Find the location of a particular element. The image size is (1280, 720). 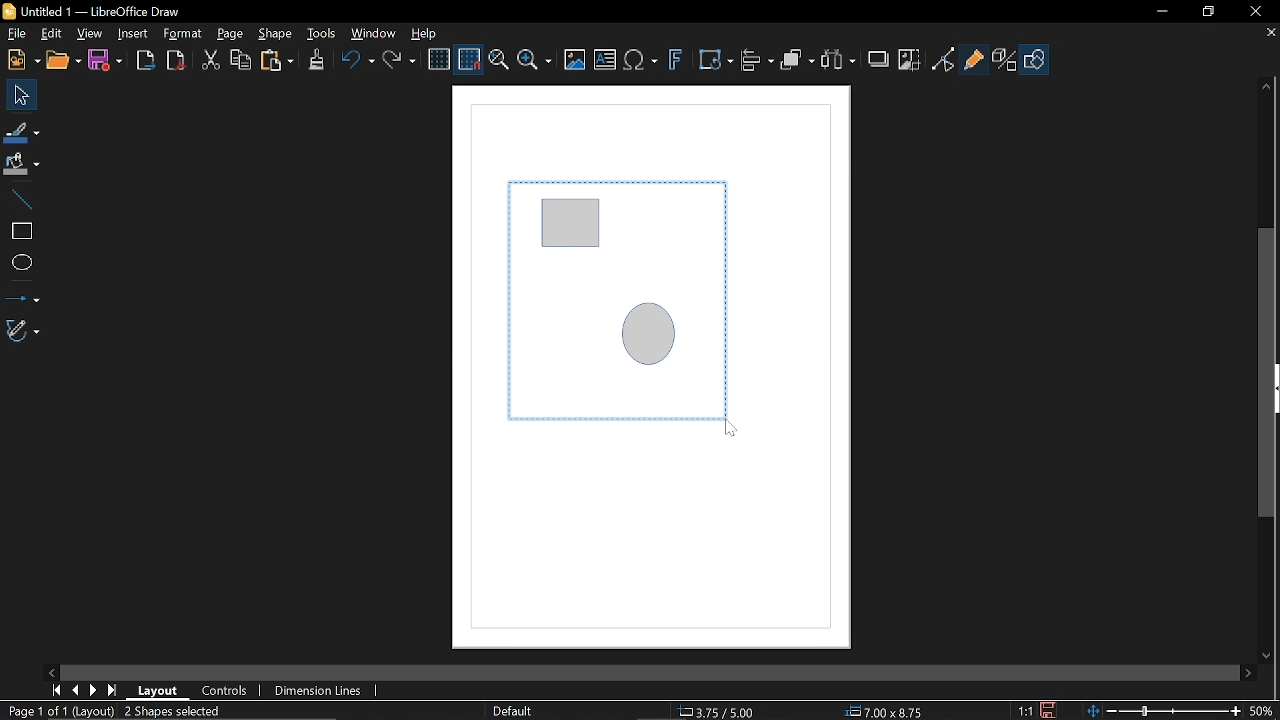

Display grid is located at coordinates (439, 59).